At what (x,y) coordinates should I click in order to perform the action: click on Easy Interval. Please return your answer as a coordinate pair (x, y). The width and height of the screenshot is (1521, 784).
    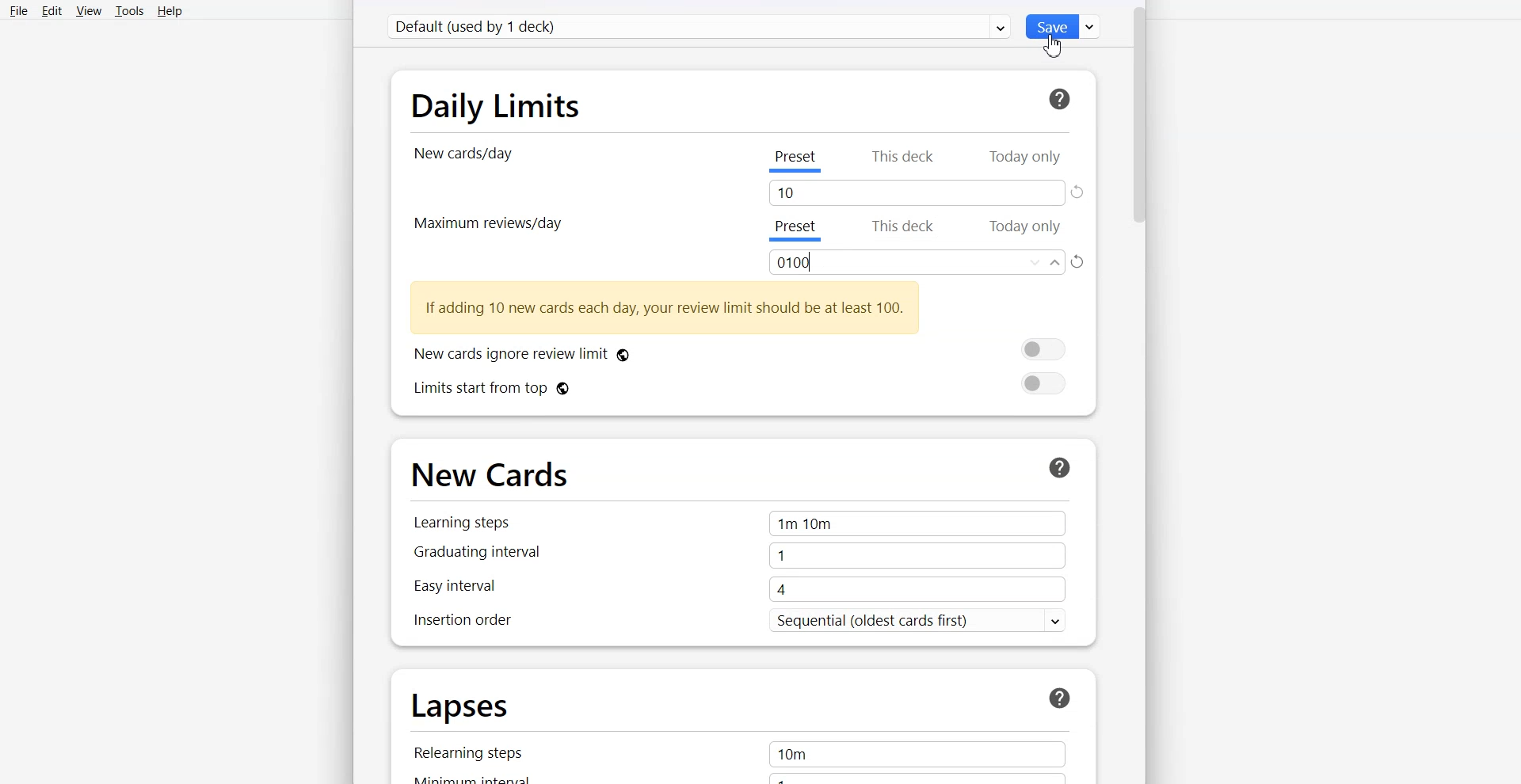
    Looking at the image, I should click on (736, 592).